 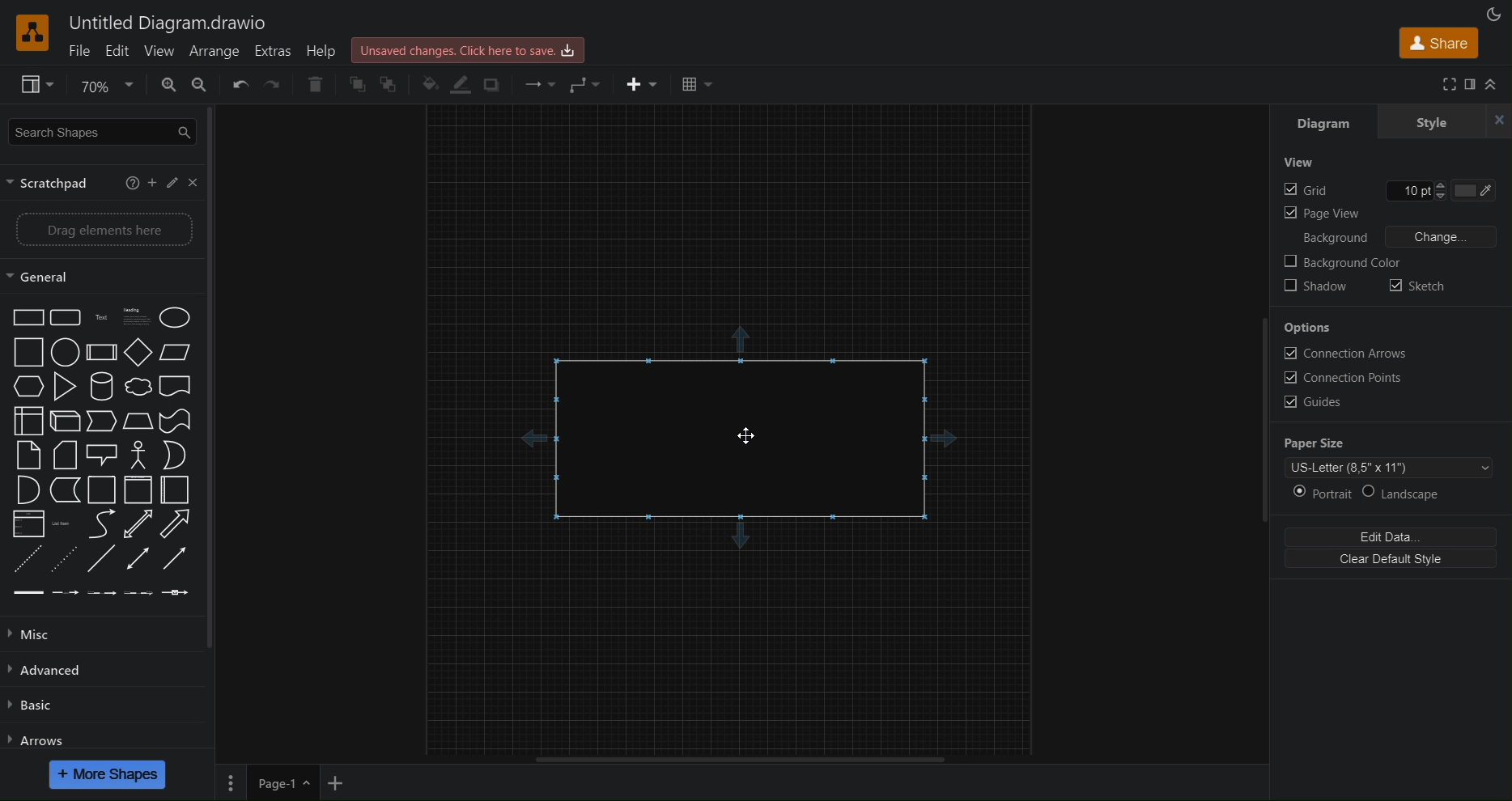 I want to click on Edit, so click(x=1391, y=536).